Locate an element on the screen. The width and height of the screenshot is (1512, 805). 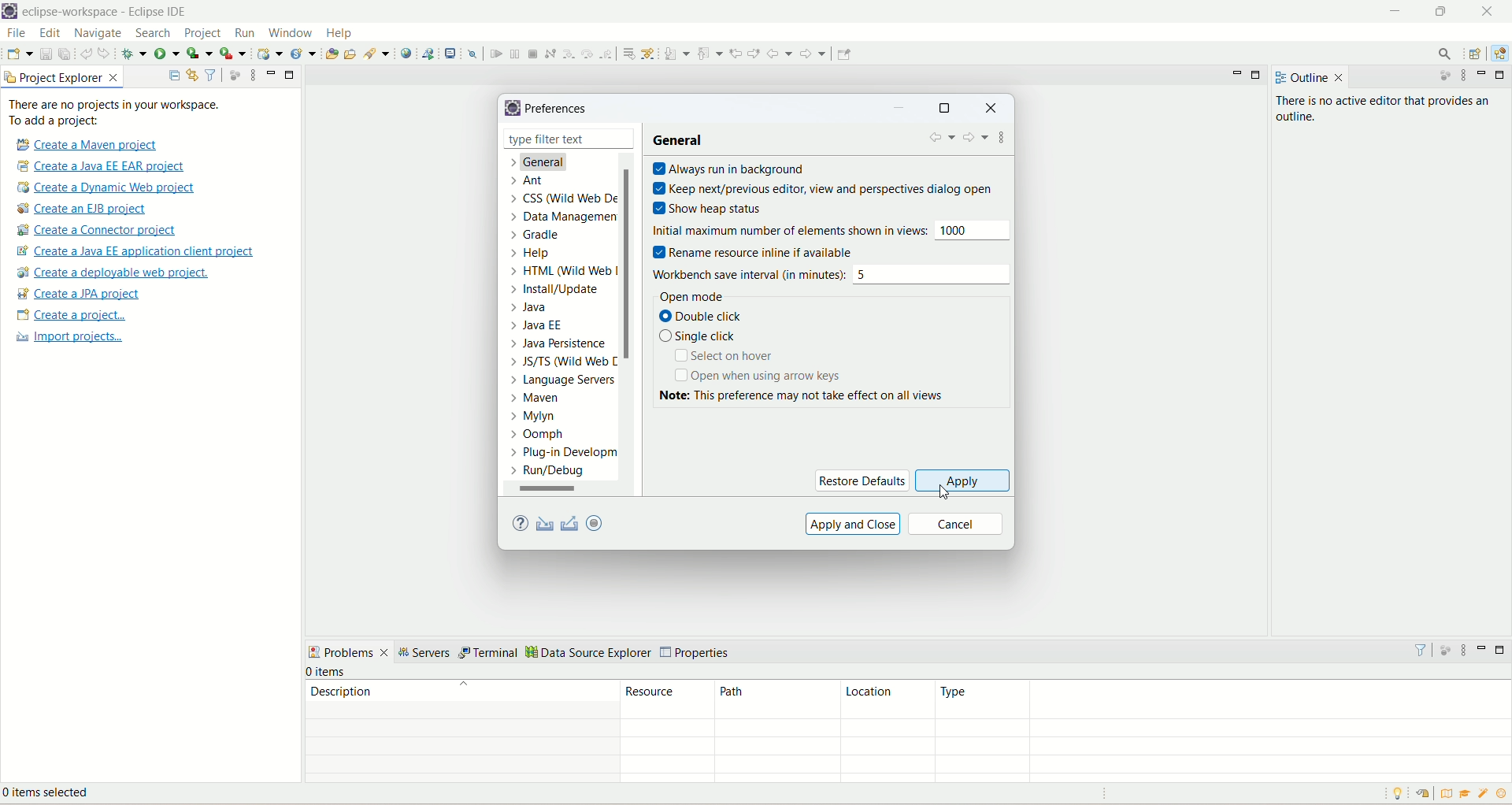
minimize is located at coordinates (271, 73).